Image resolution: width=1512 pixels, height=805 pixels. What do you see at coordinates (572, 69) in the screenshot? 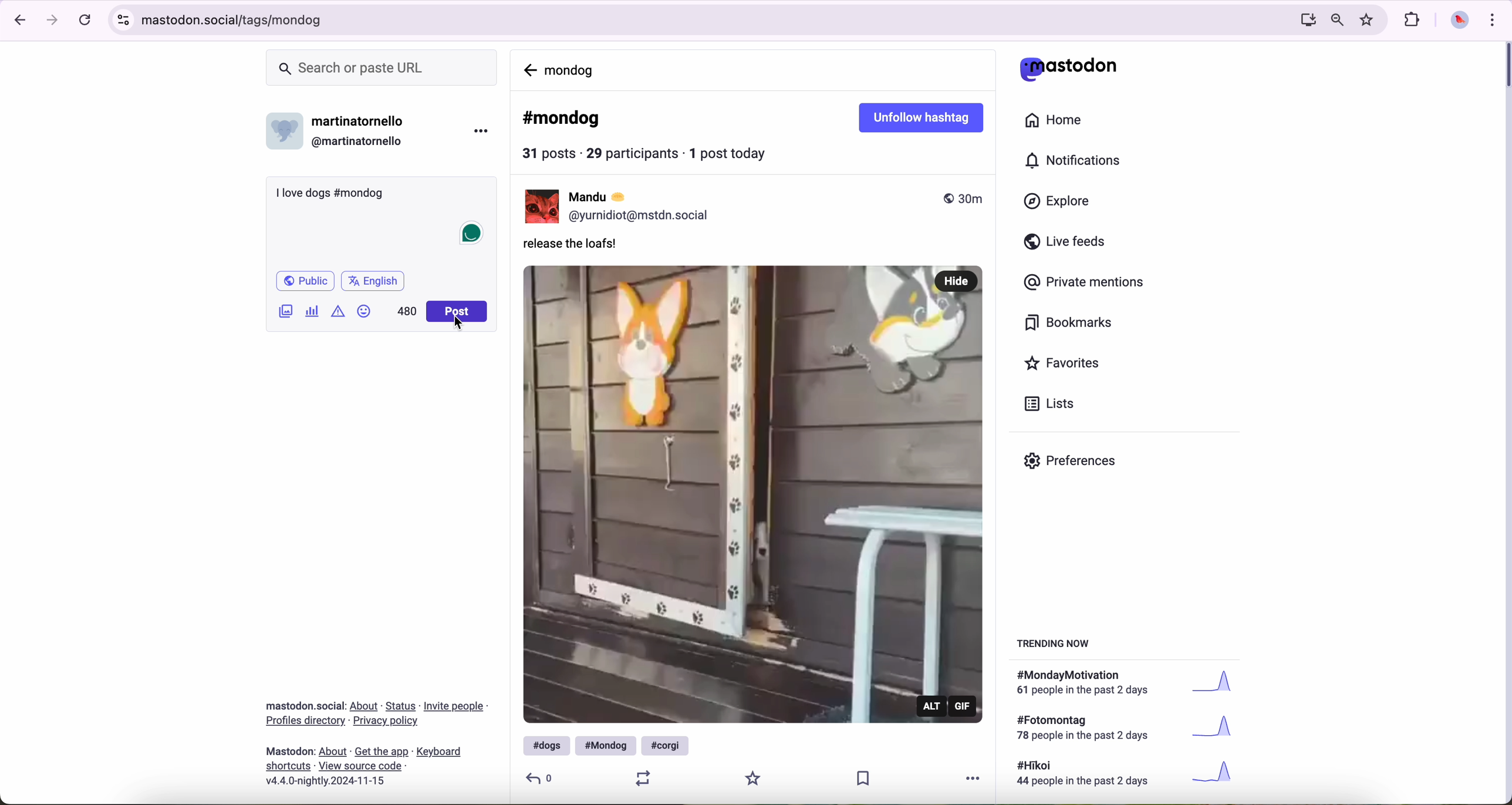
I see `mondog` at bounding box center [572, 69].